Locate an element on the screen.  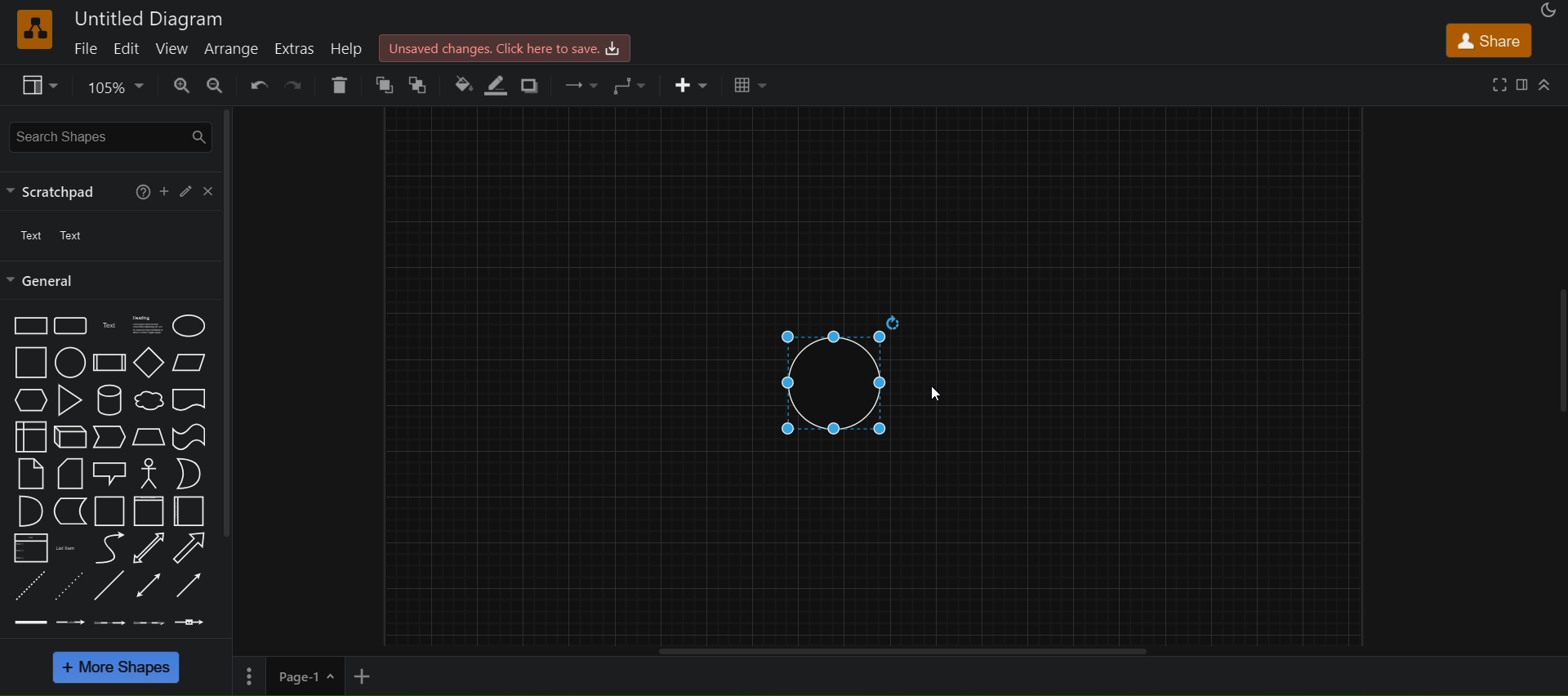
notes is located at coordinates (30, 473).